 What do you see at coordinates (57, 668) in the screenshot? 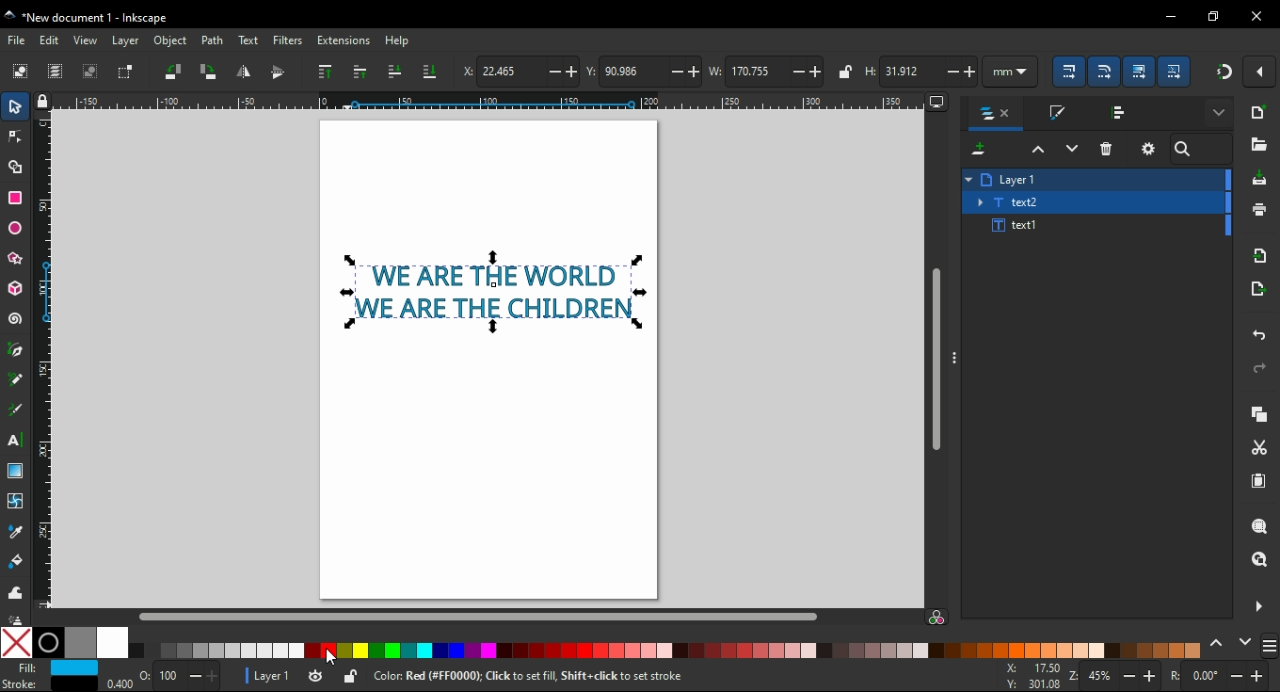
I see `fill color selected` at bounding box center [57, 668].